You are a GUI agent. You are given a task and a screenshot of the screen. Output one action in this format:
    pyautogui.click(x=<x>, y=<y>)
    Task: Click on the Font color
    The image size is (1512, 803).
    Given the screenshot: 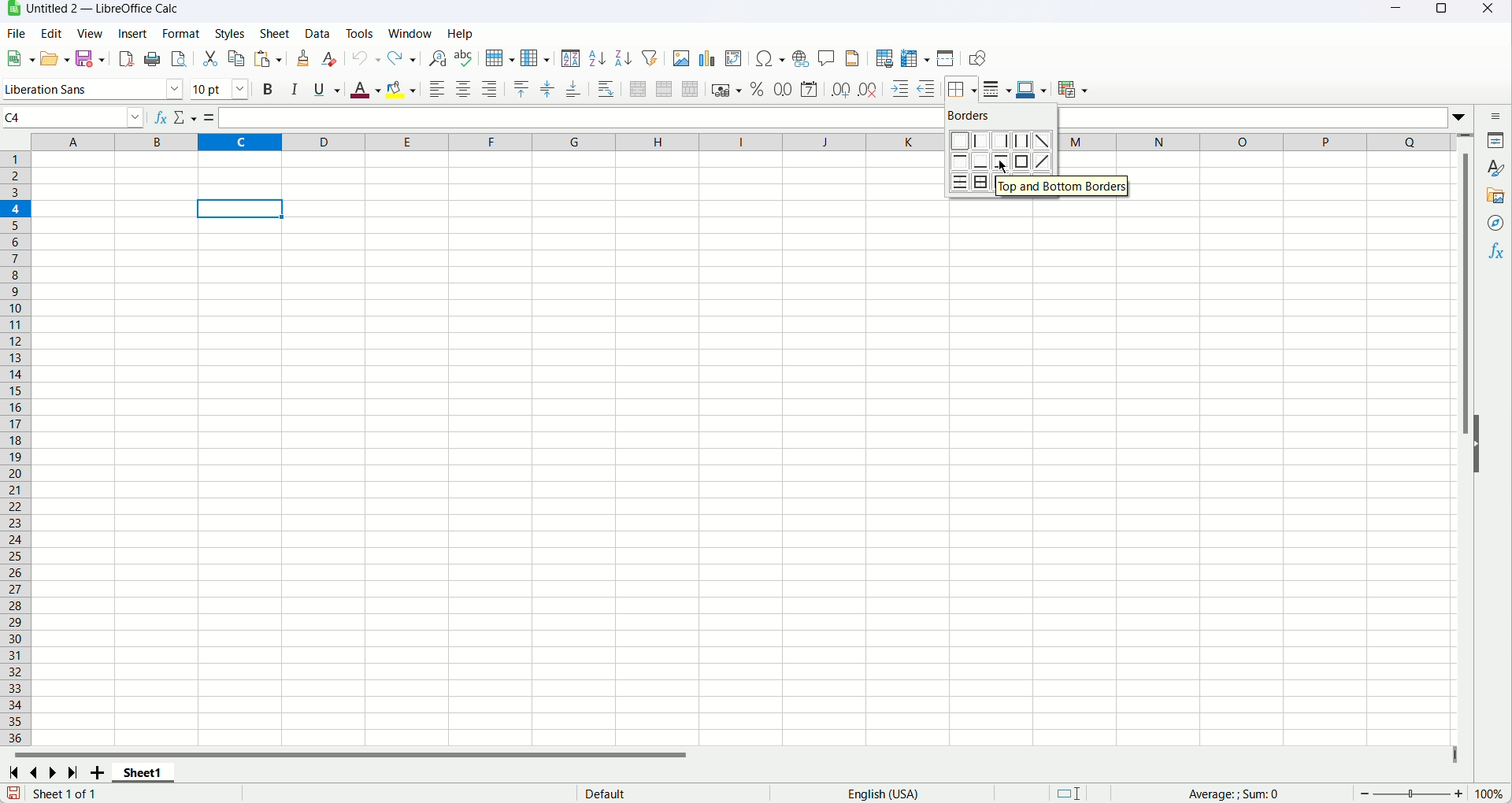 What is the action you would take?
    pyautogui.click(x=365, y=91)
    